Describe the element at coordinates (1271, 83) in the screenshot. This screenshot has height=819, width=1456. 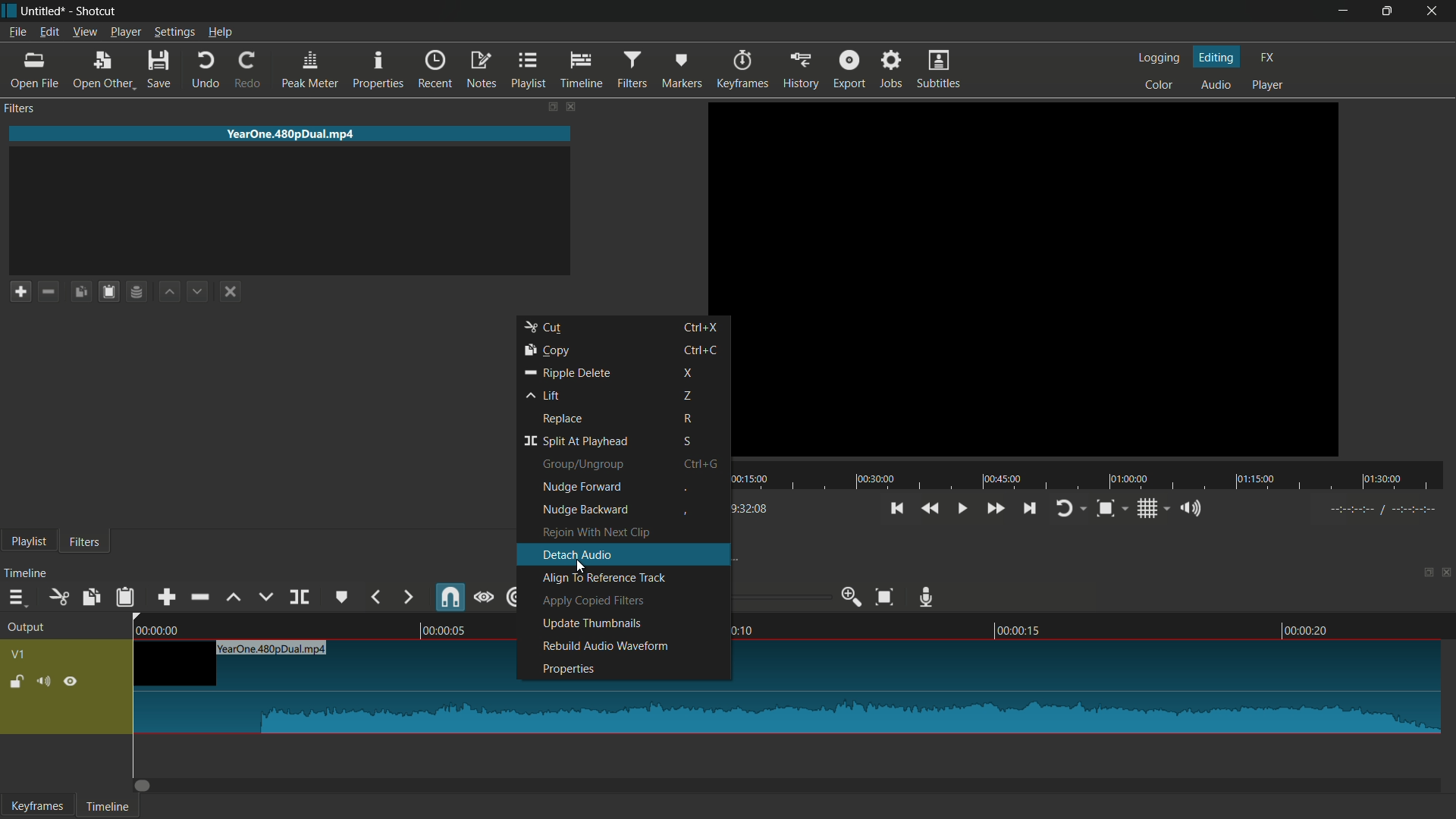
I see `player` at that location.